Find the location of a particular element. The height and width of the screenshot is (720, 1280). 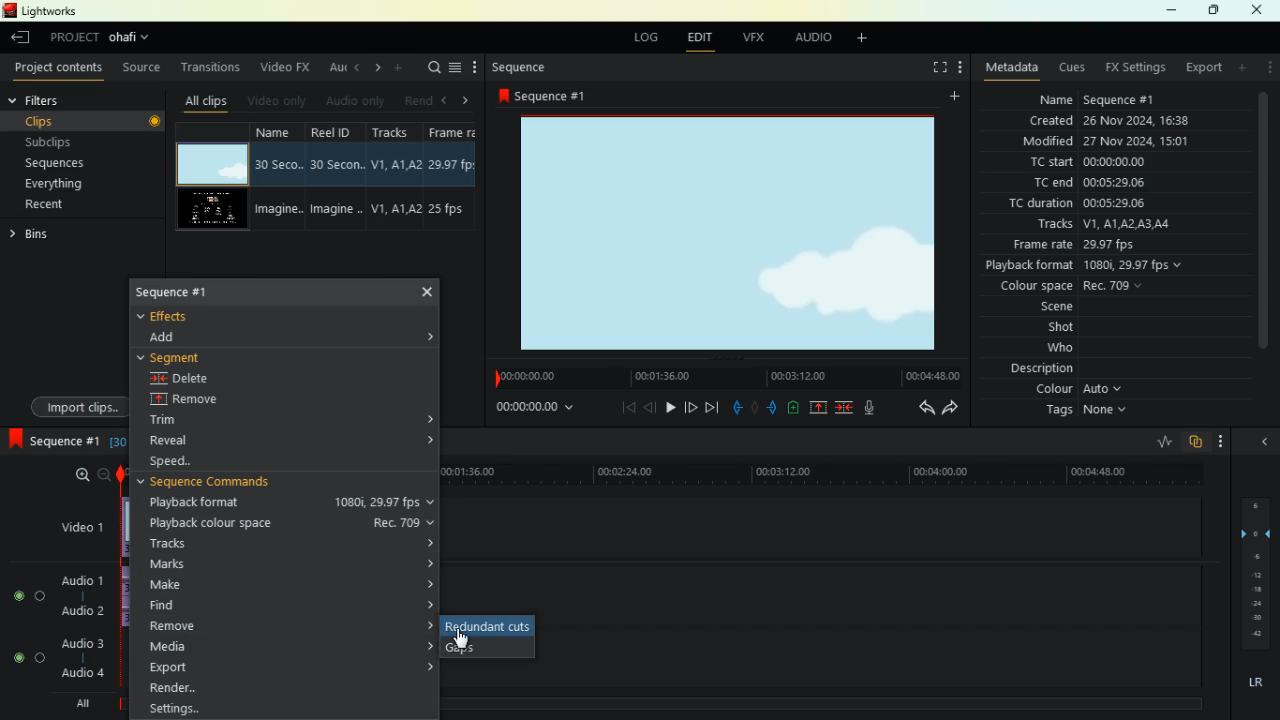

maximize is located at coordinates (1211, 11).